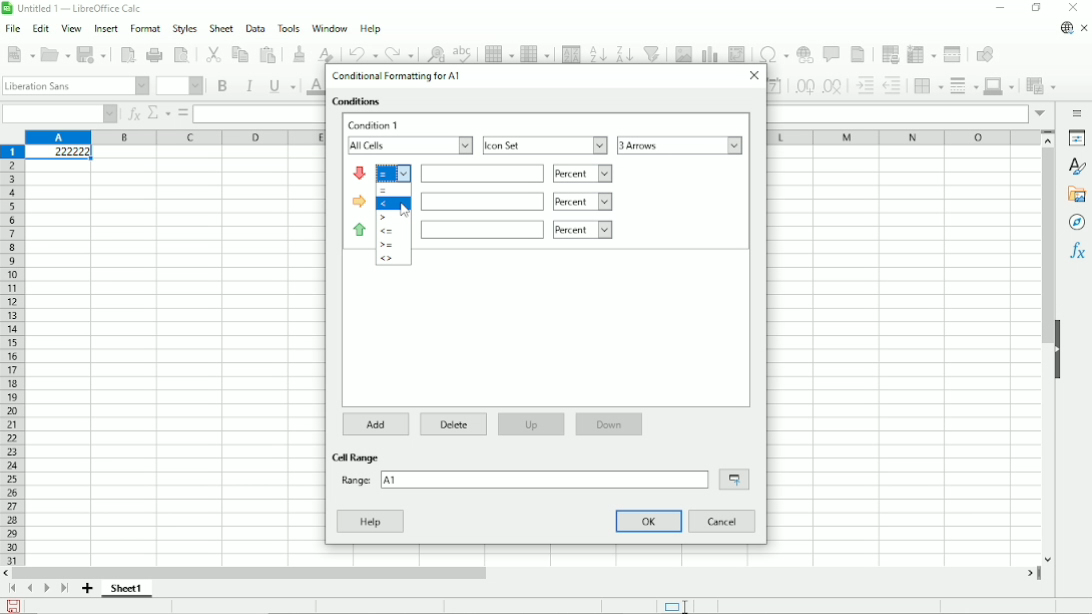 The width and height of the screenshot is (1092, 614). What do you see at coordinates (452, 423) in the screenshot?
I see `Delete` at bounding box center [452, 423].